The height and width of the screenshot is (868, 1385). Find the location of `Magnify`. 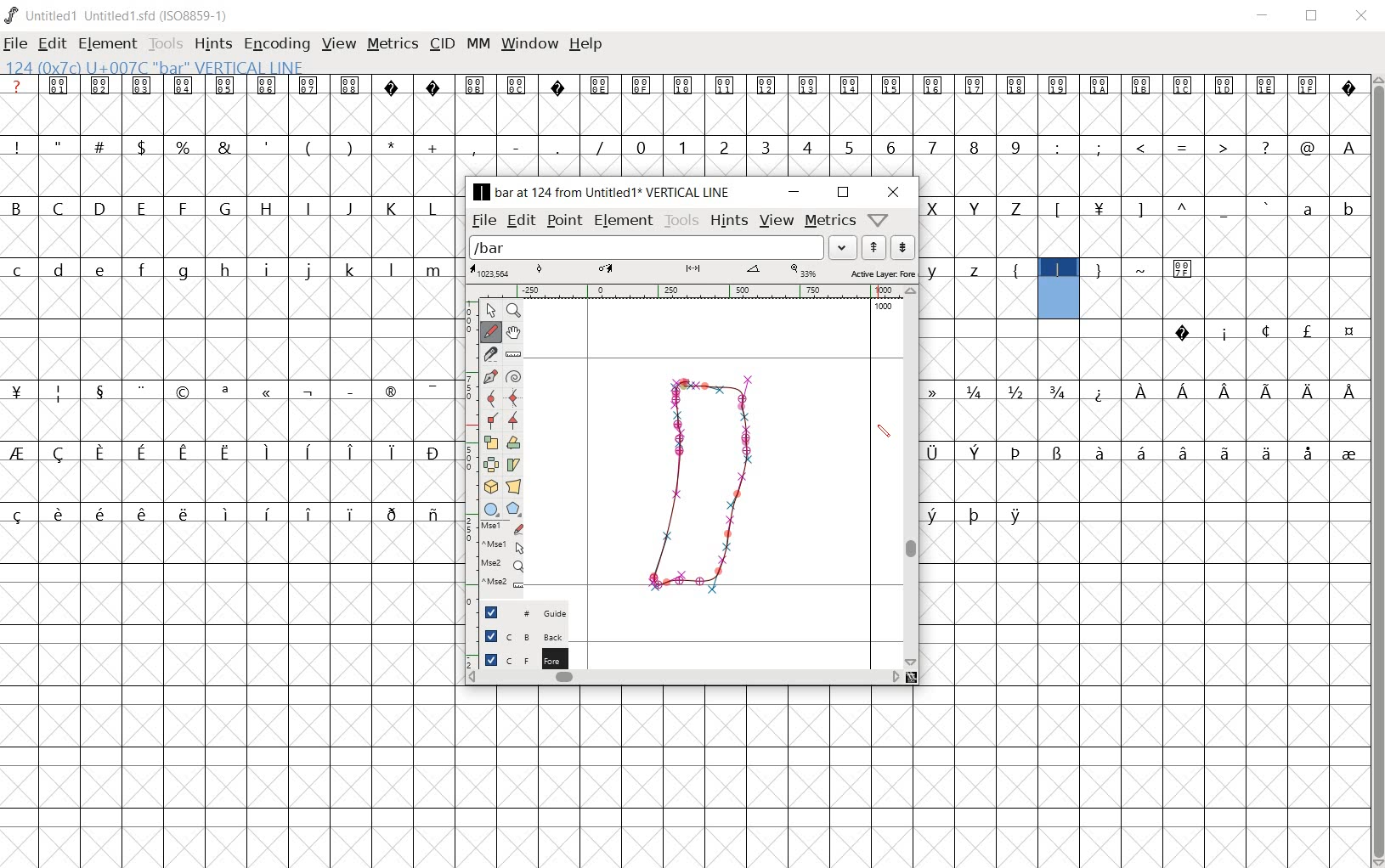

Magnify is located at coordinates (513, 312).